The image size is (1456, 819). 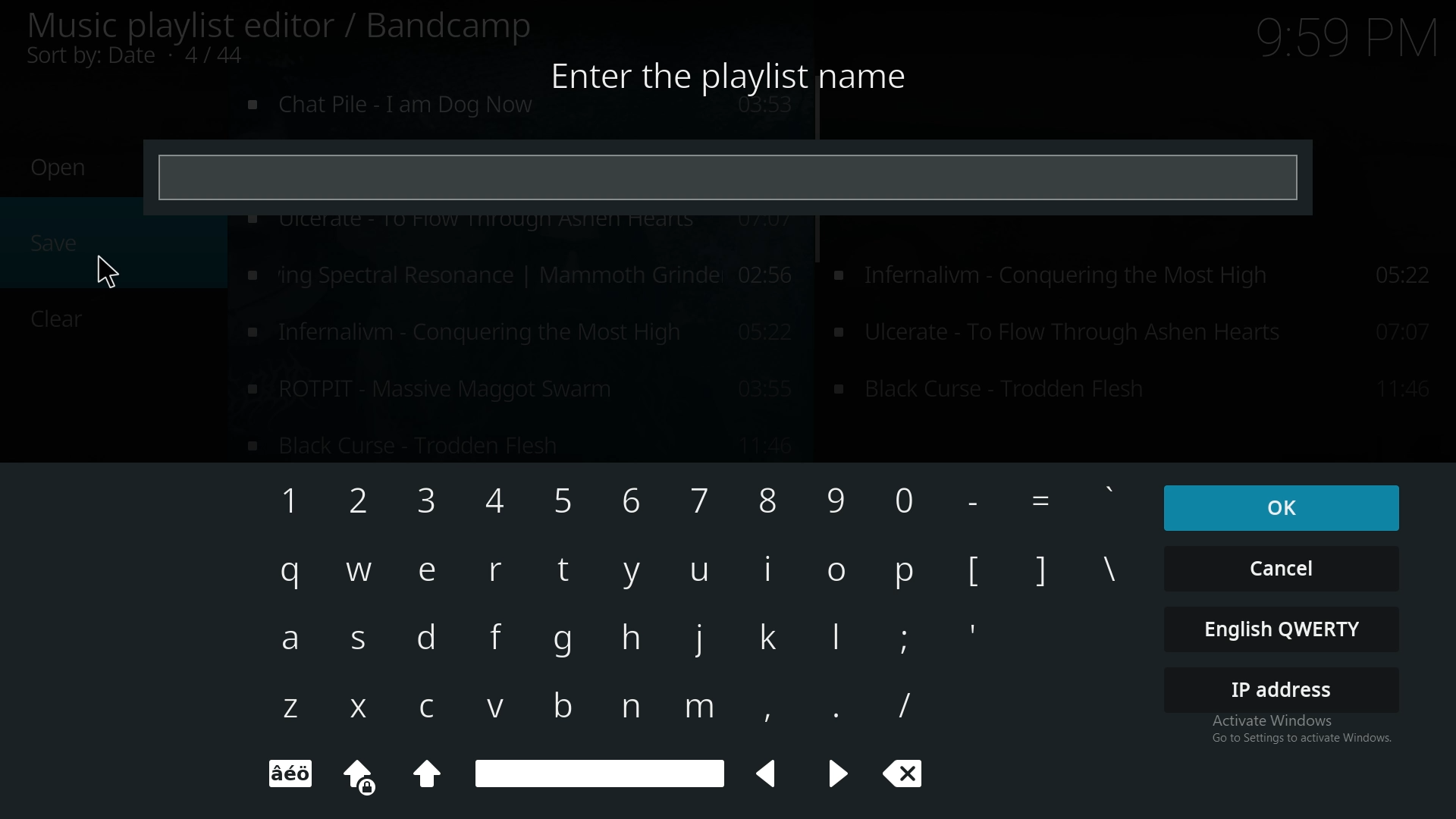 What do you see at coordinates (518, 445) in the screenshot?
I see `Song title` at bounding box center [518, 445].